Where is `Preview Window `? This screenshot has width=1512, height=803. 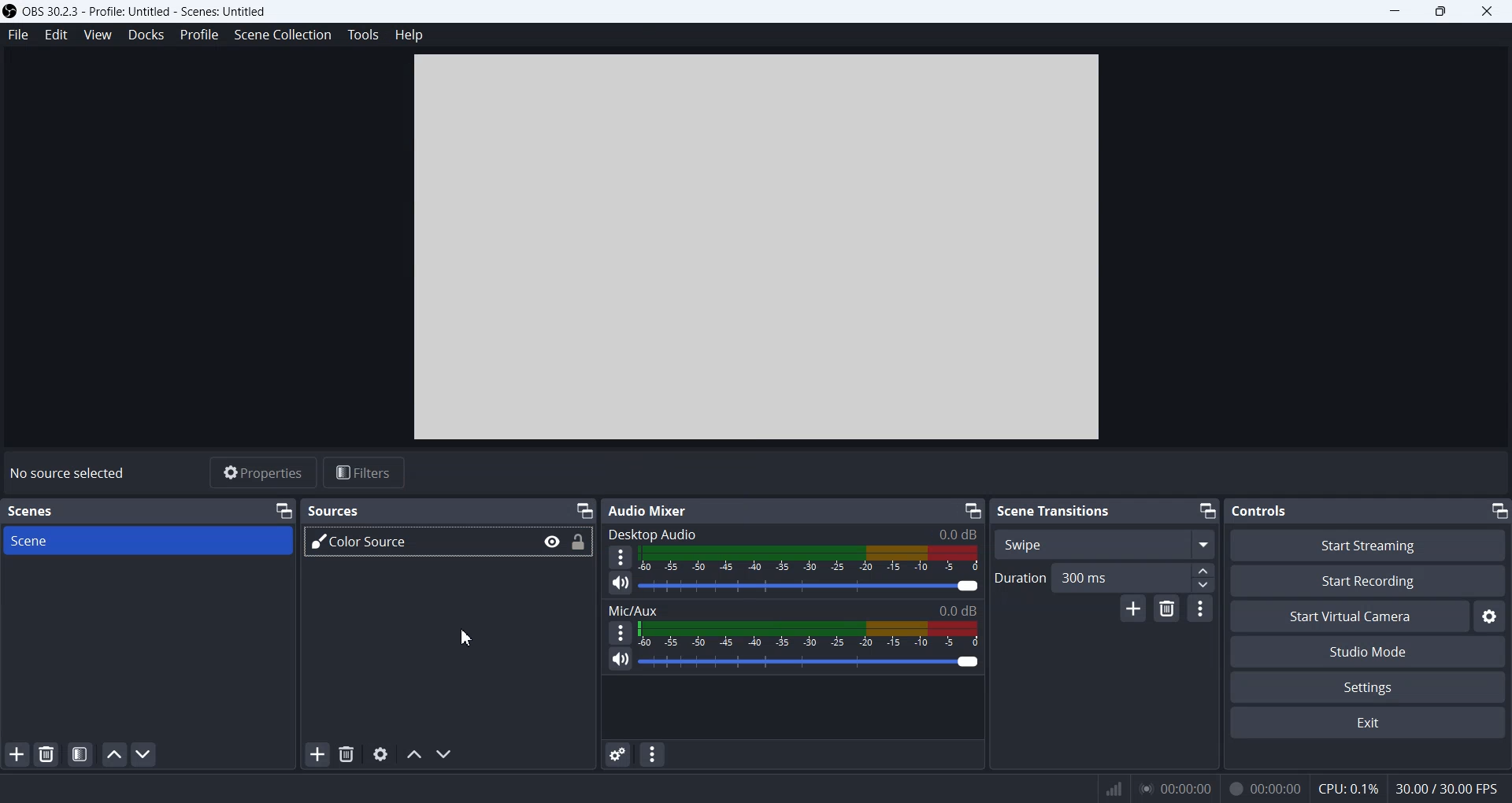
Preview Window  is located at coordinates (759, 248).